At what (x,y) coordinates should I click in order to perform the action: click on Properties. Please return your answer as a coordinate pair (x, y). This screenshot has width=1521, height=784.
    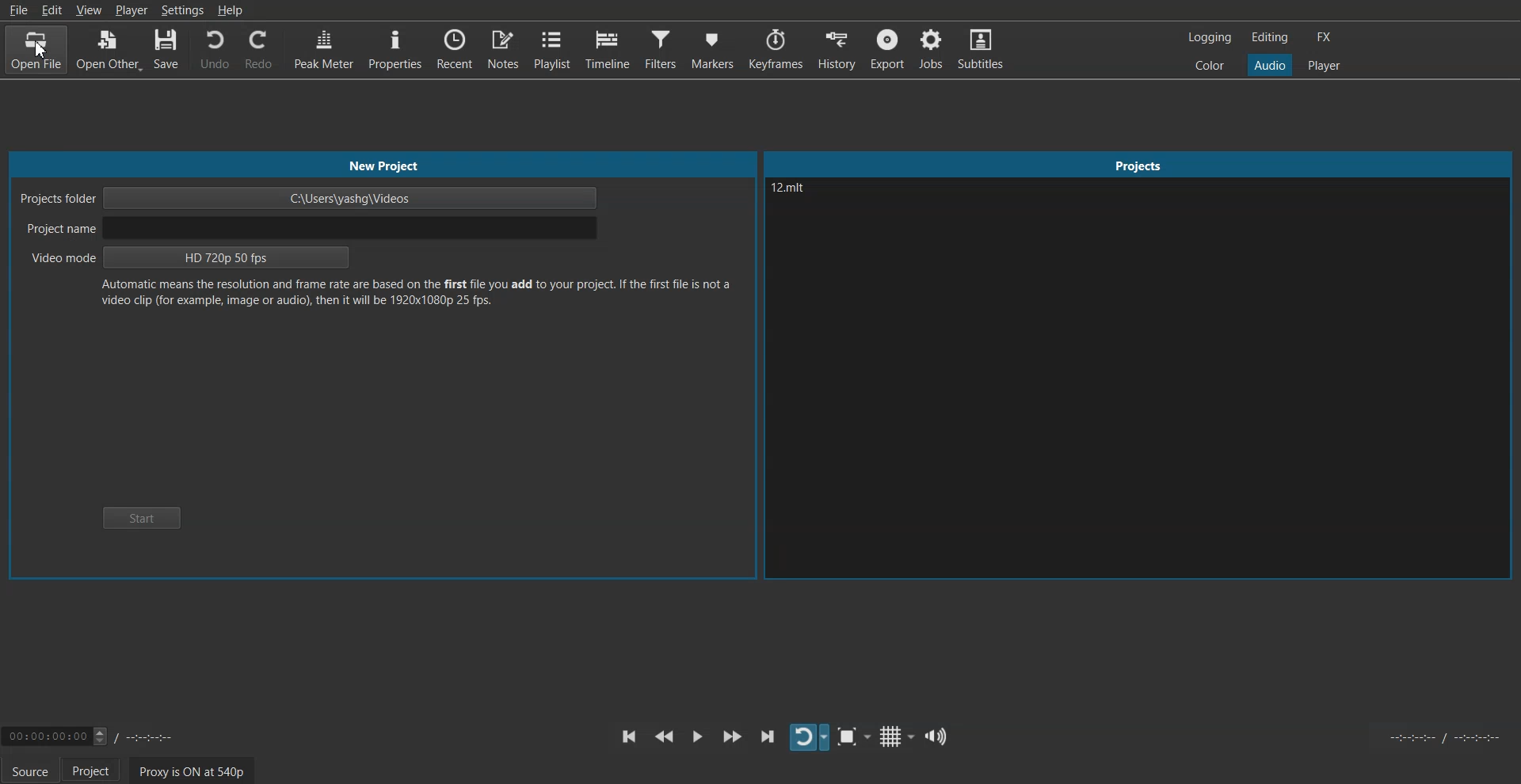
    Looking at the image, I should click on (394, 48).